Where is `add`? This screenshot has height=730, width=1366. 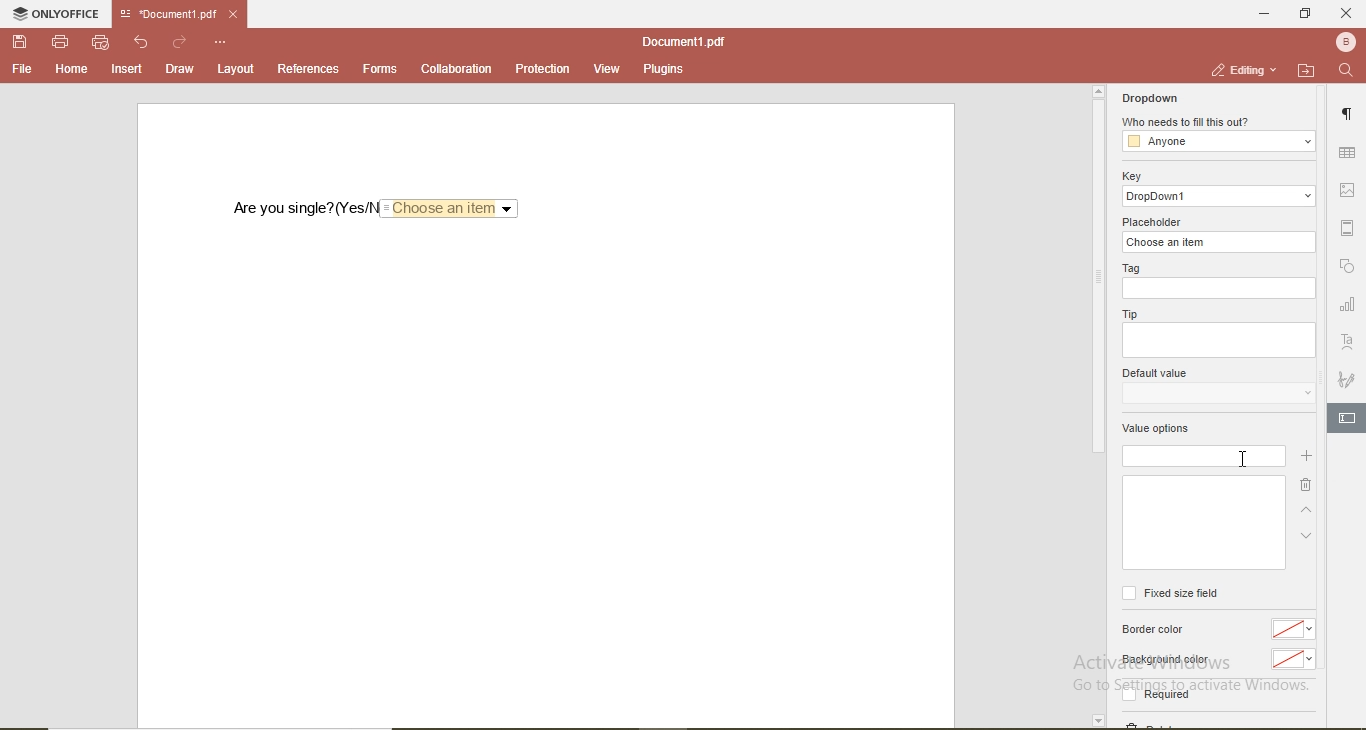 add is located at coordinates (1309, 458).